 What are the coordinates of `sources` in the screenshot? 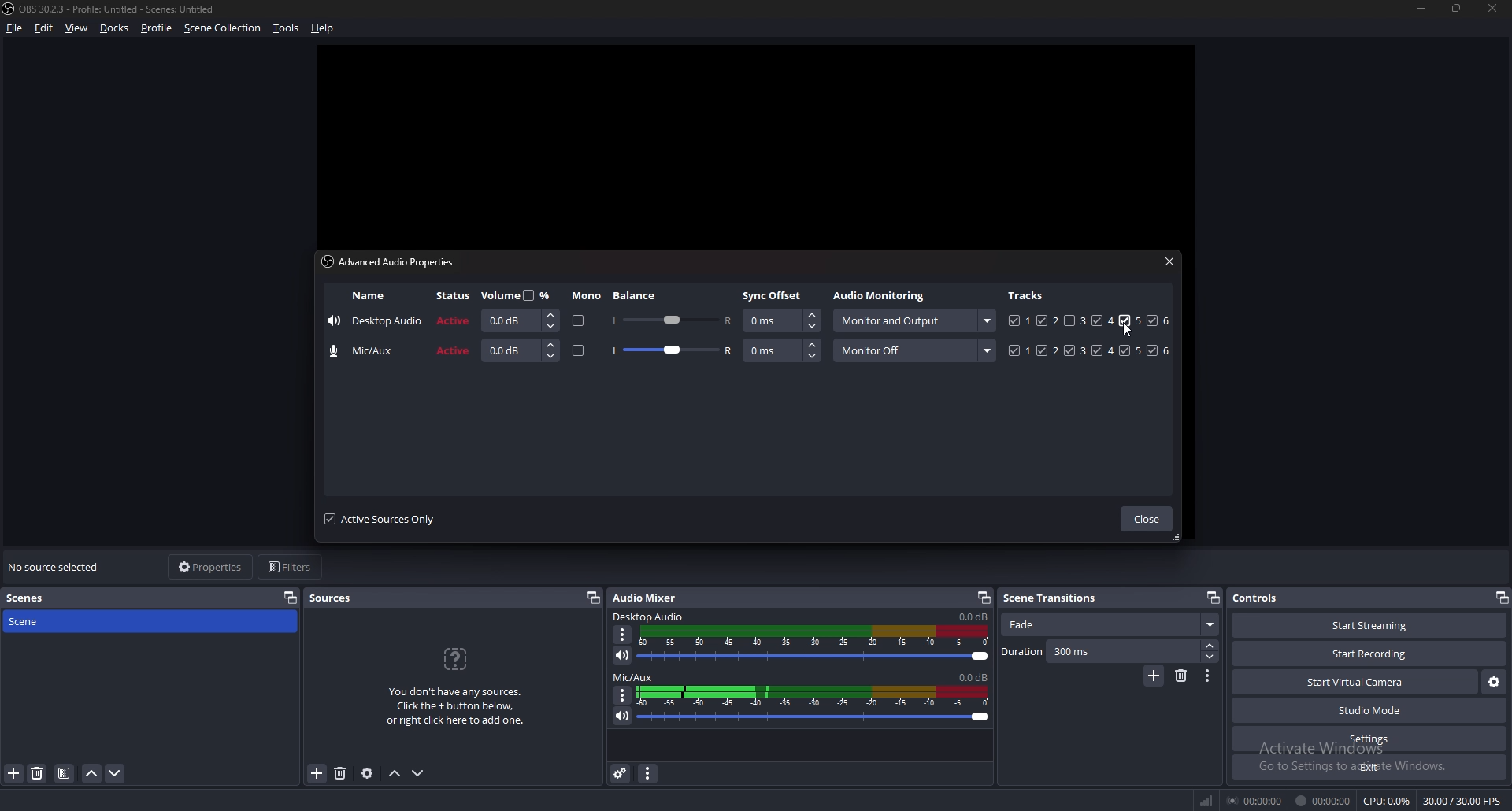 It's located at (337, 598).